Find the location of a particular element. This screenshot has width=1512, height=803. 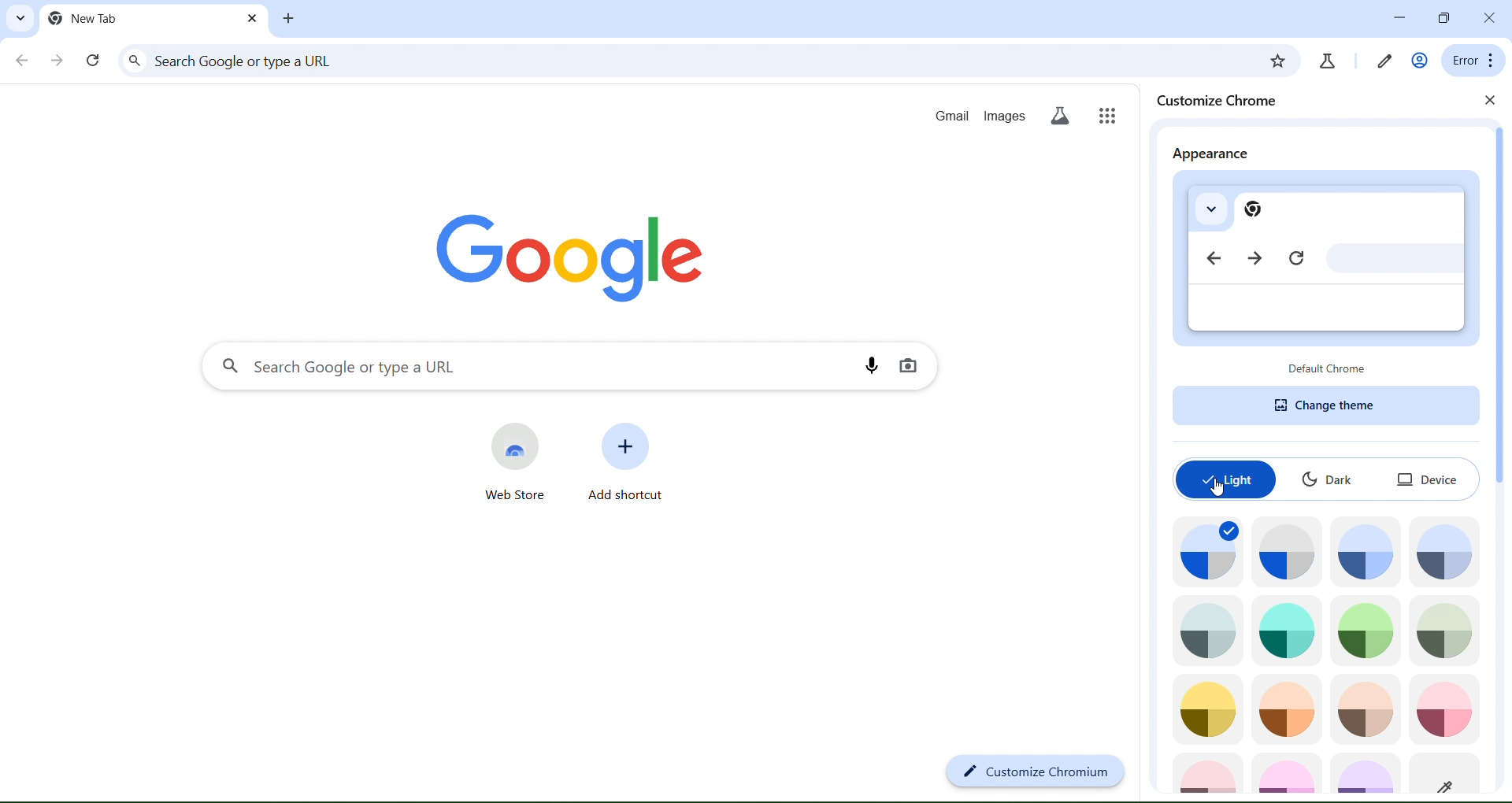

restore down is located at coordinates (1442, 17).